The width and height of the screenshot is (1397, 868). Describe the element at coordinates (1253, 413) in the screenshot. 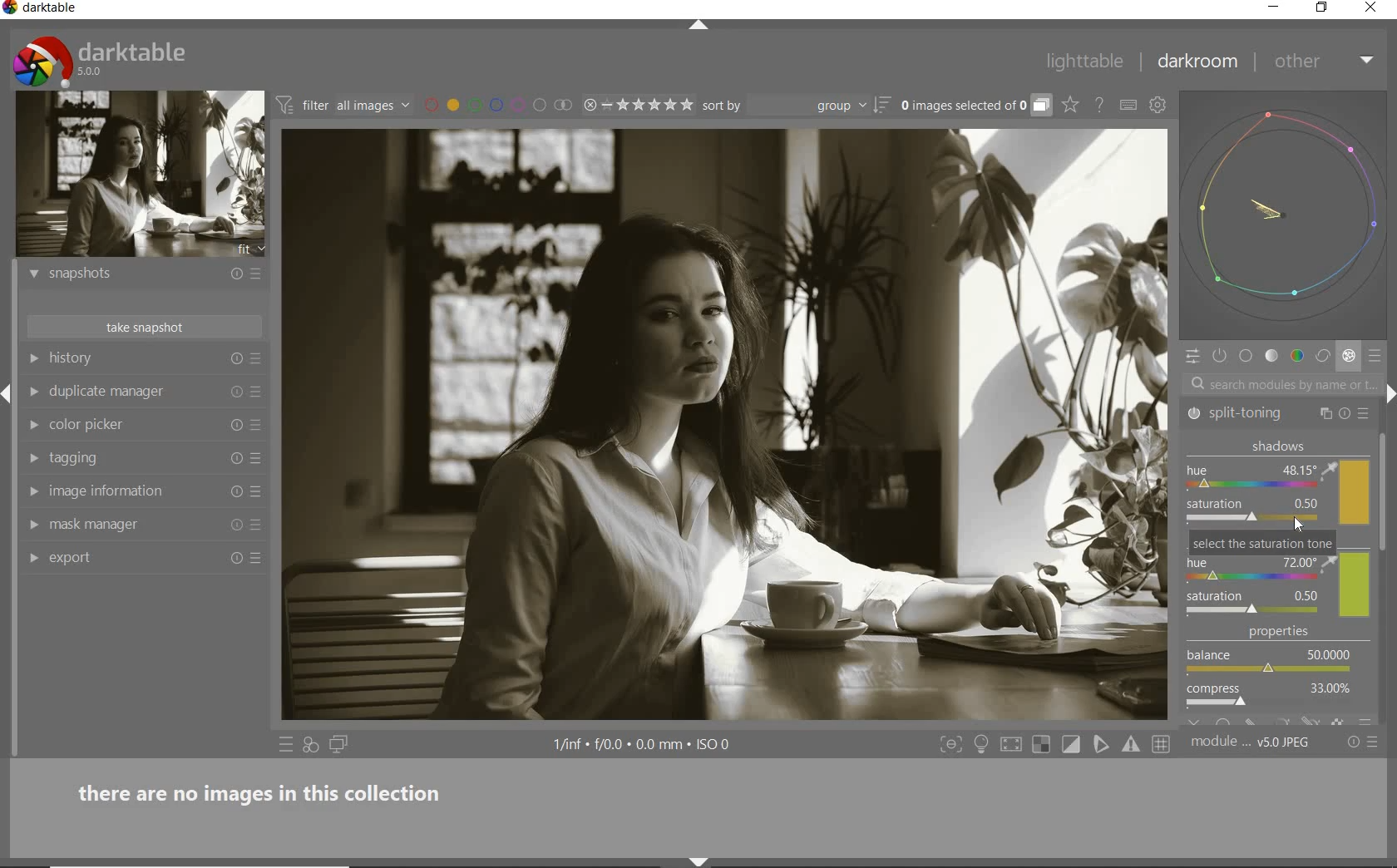

I see `split-toning` at that location.